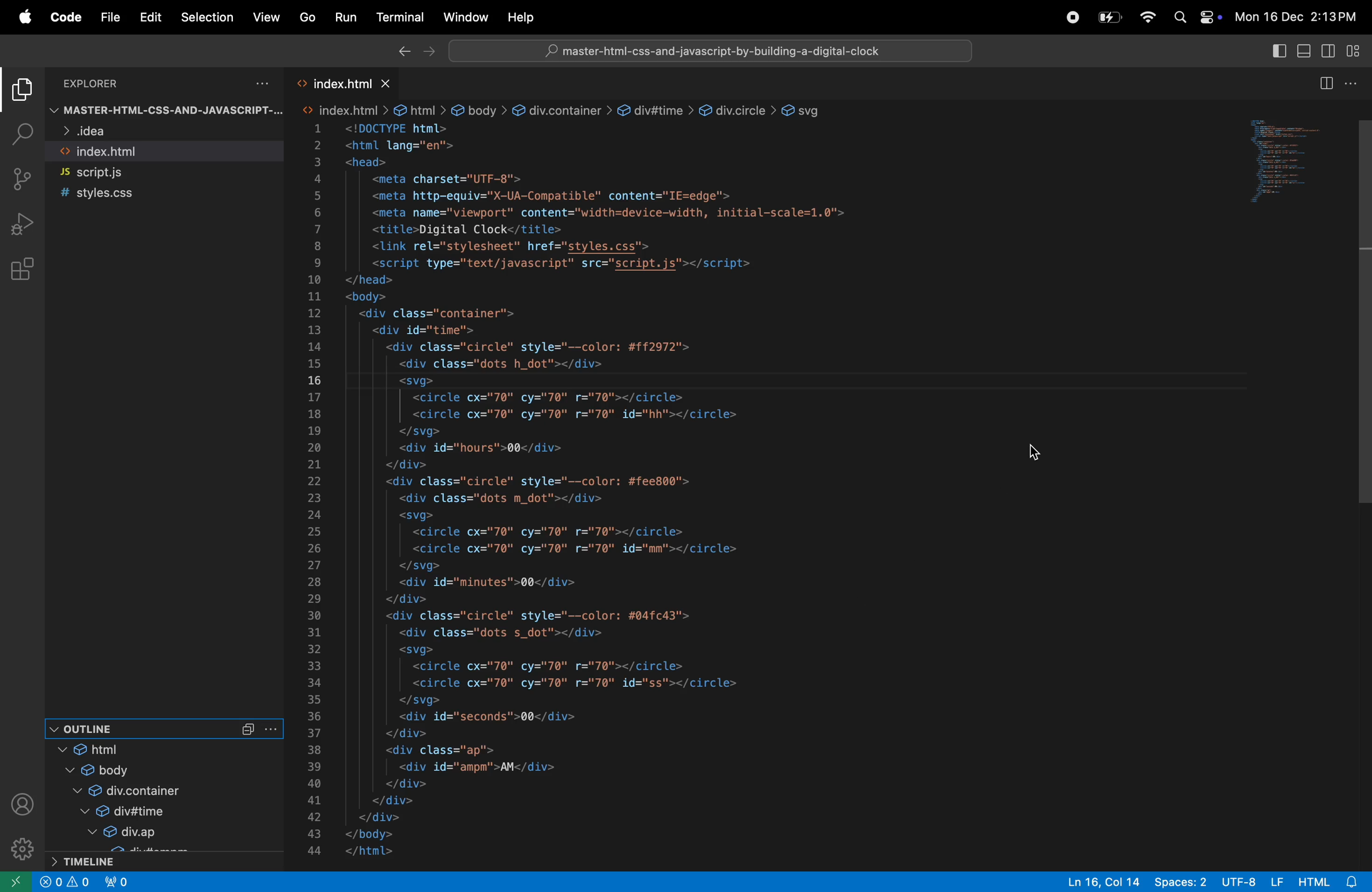 This screenshot has height=892, width=1372. I want to click on utf 8 LF, so click(1255, 882).